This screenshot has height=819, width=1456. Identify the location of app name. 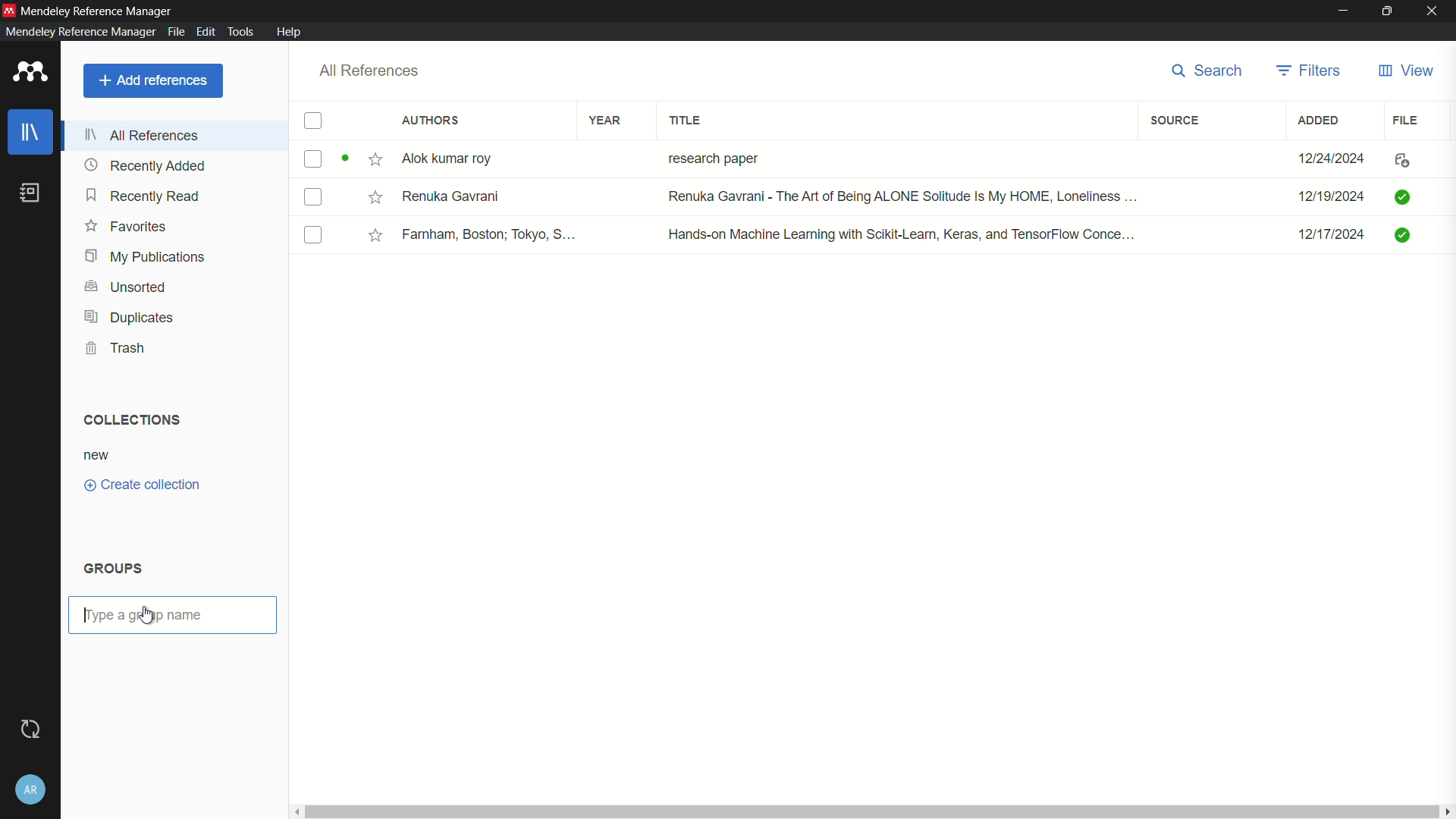
(77, 32).